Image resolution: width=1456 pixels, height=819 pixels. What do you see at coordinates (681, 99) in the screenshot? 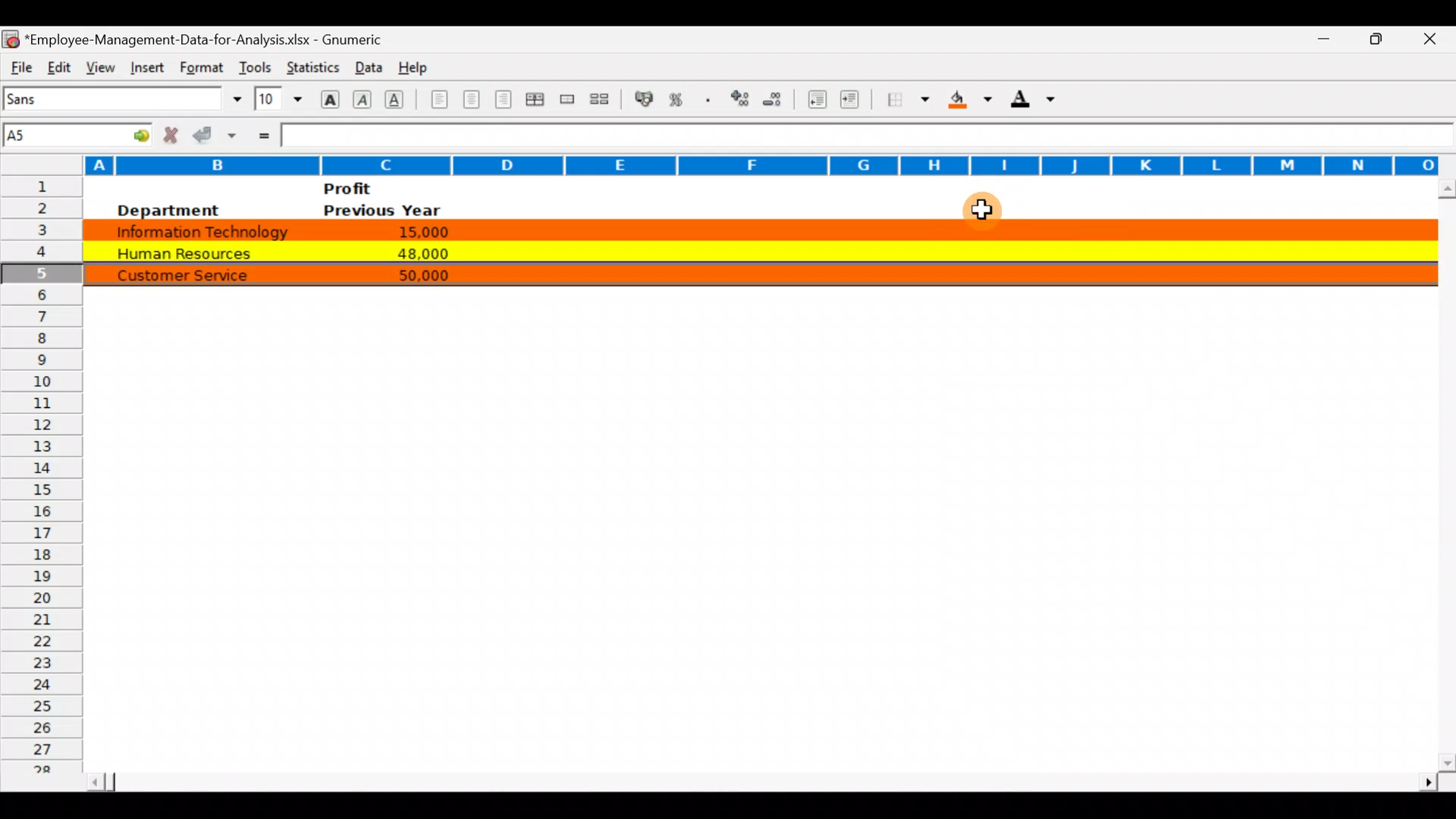
I see `Format selection as percentage` at bounding box center [681, 99].